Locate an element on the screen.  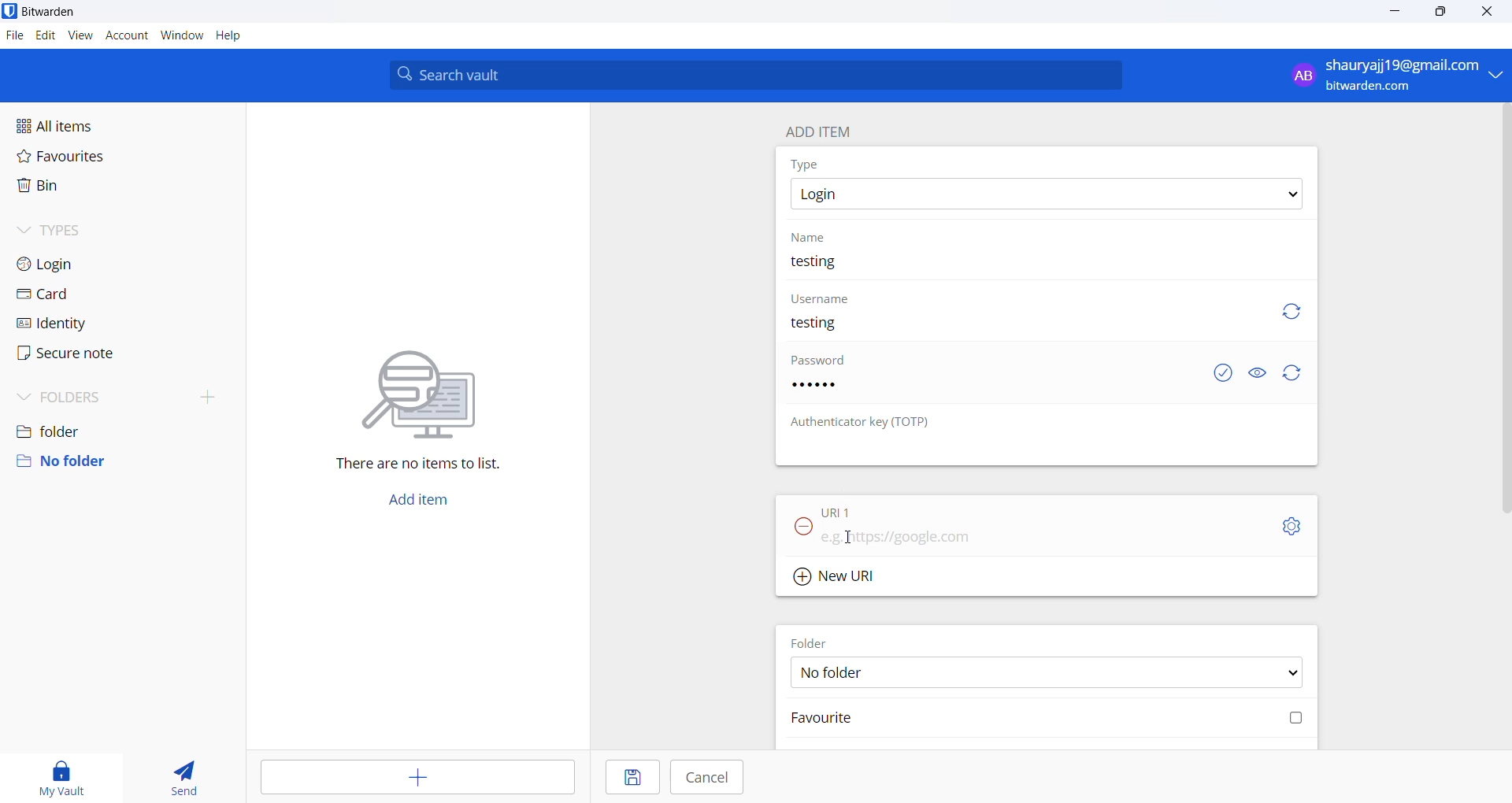
password is located at coordinates (826, 361).